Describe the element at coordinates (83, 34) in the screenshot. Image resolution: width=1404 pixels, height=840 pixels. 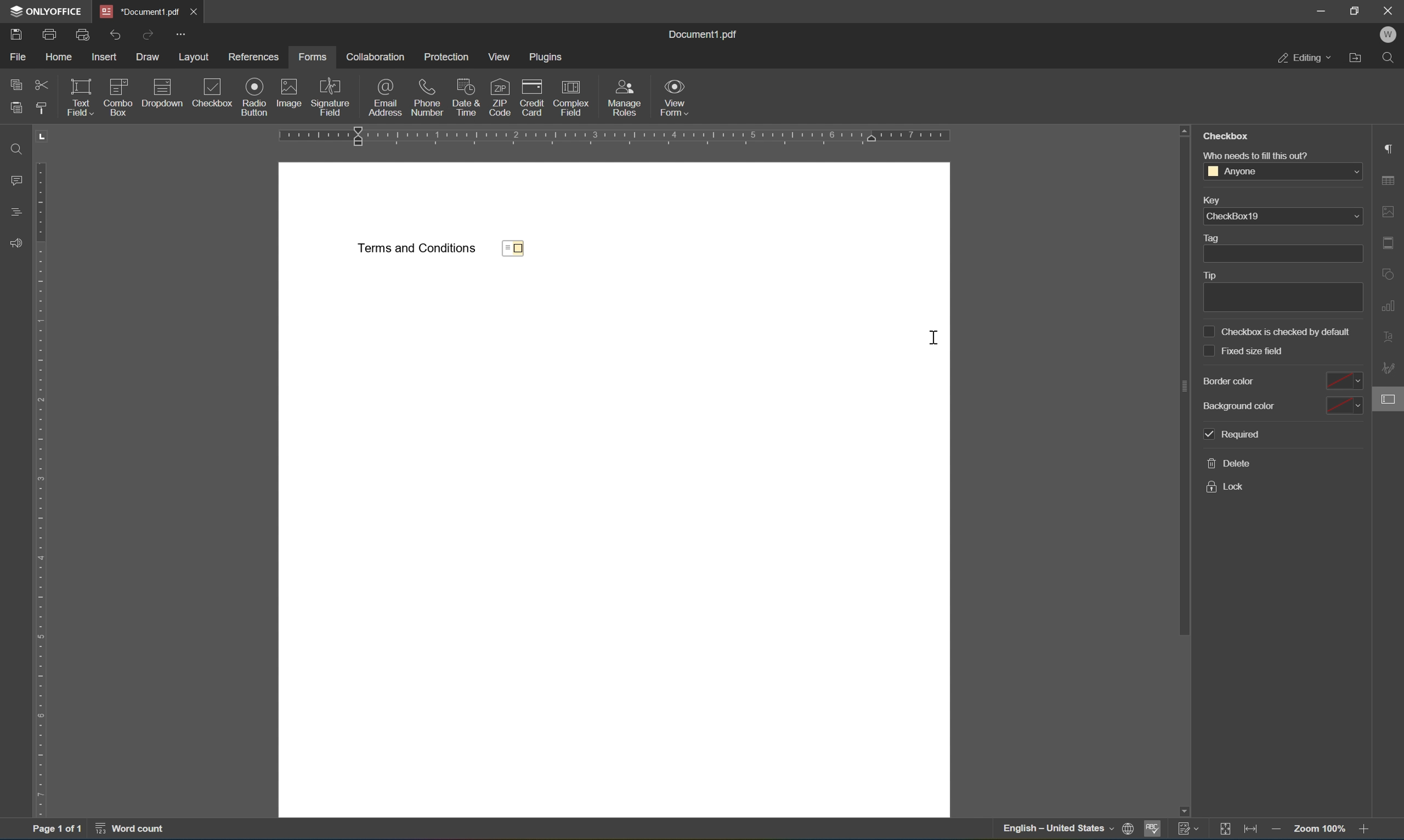
I see `quick print` at that location.